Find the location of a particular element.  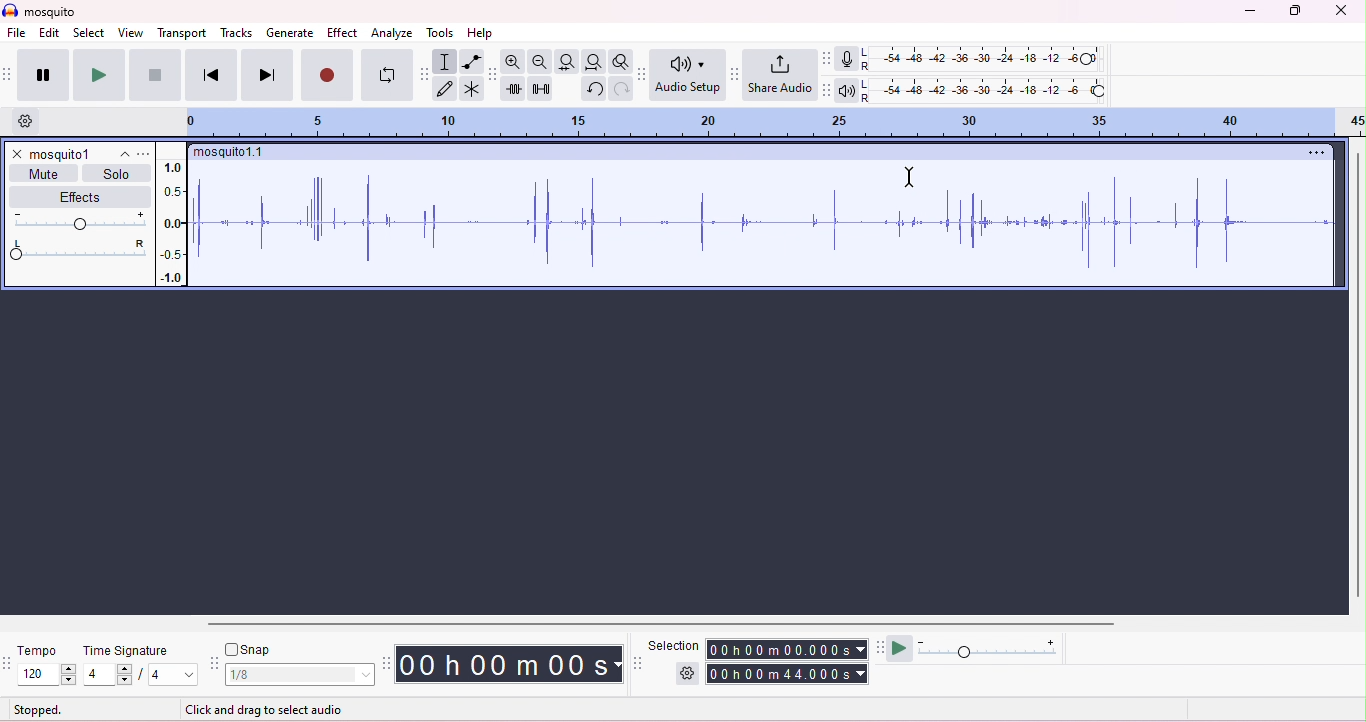

close is located at coordinates (16, 154).